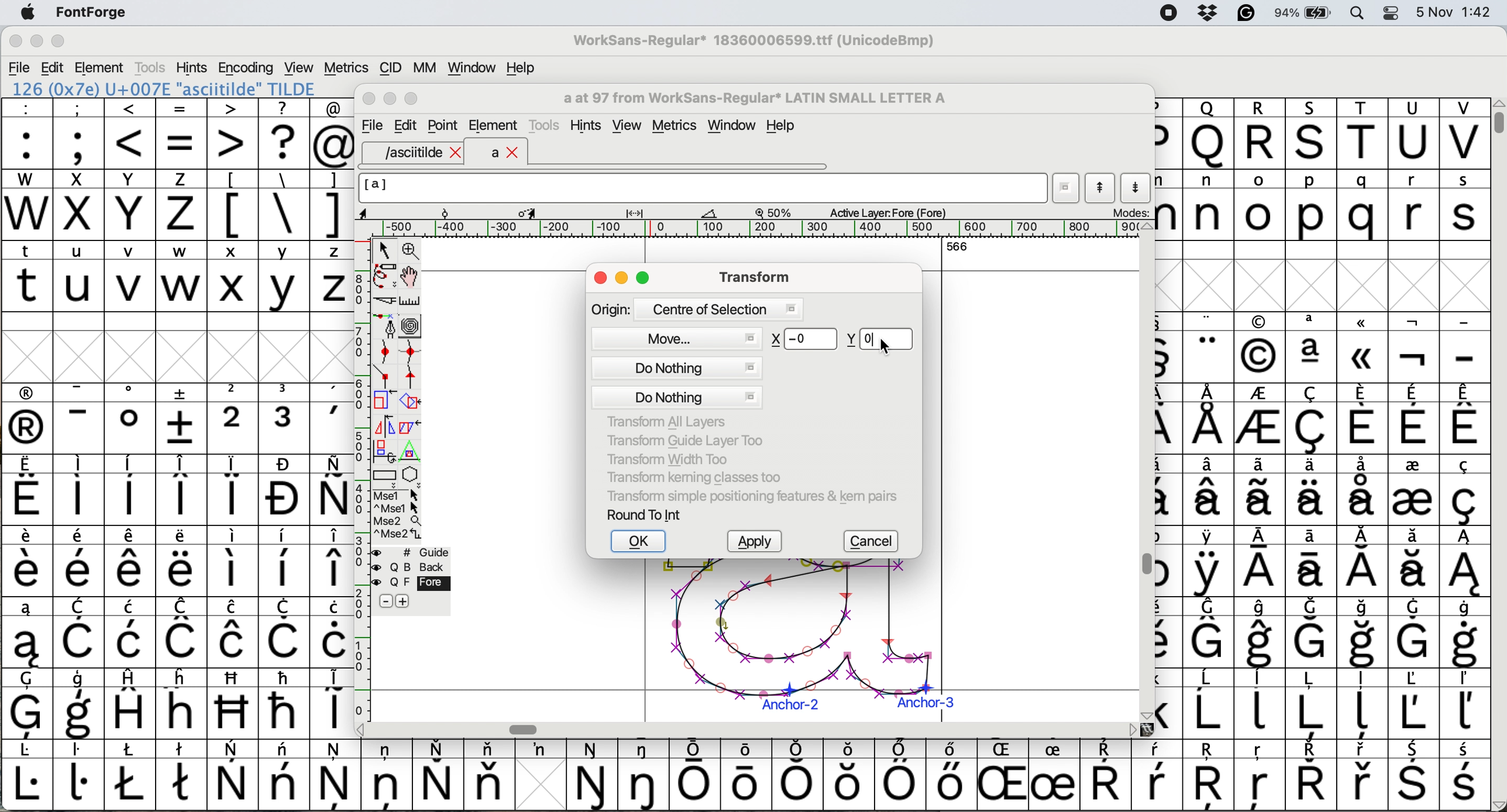 Image resolution: width=1507 pixels, height=812 pixels. What do you see at coordinates (284, 562) in the screenshot?
I see `symbol` at bounding box center [284, 562].